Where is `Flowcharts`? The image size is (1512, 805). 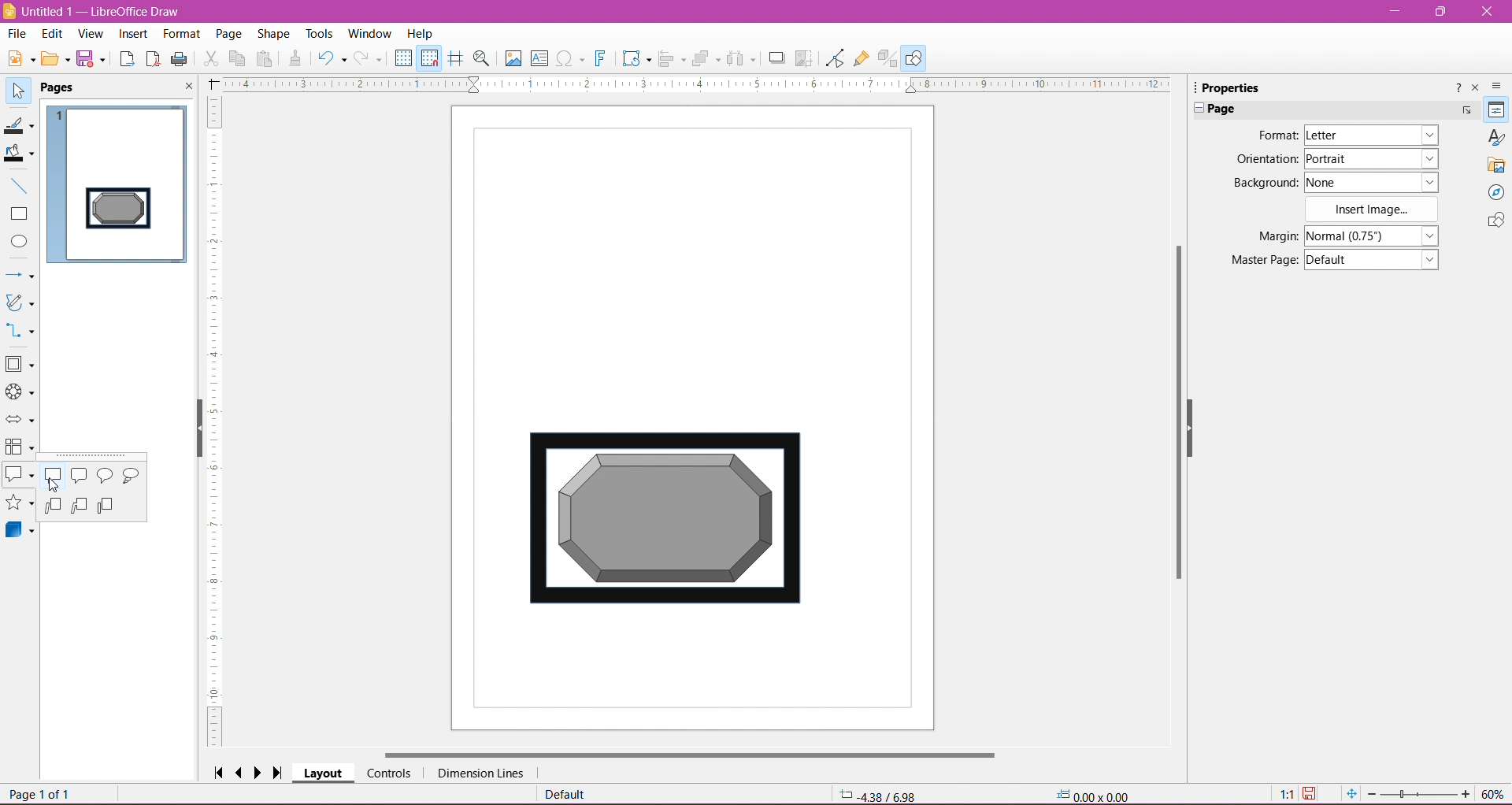 Flowcharts is located at coordinates (20, 448).